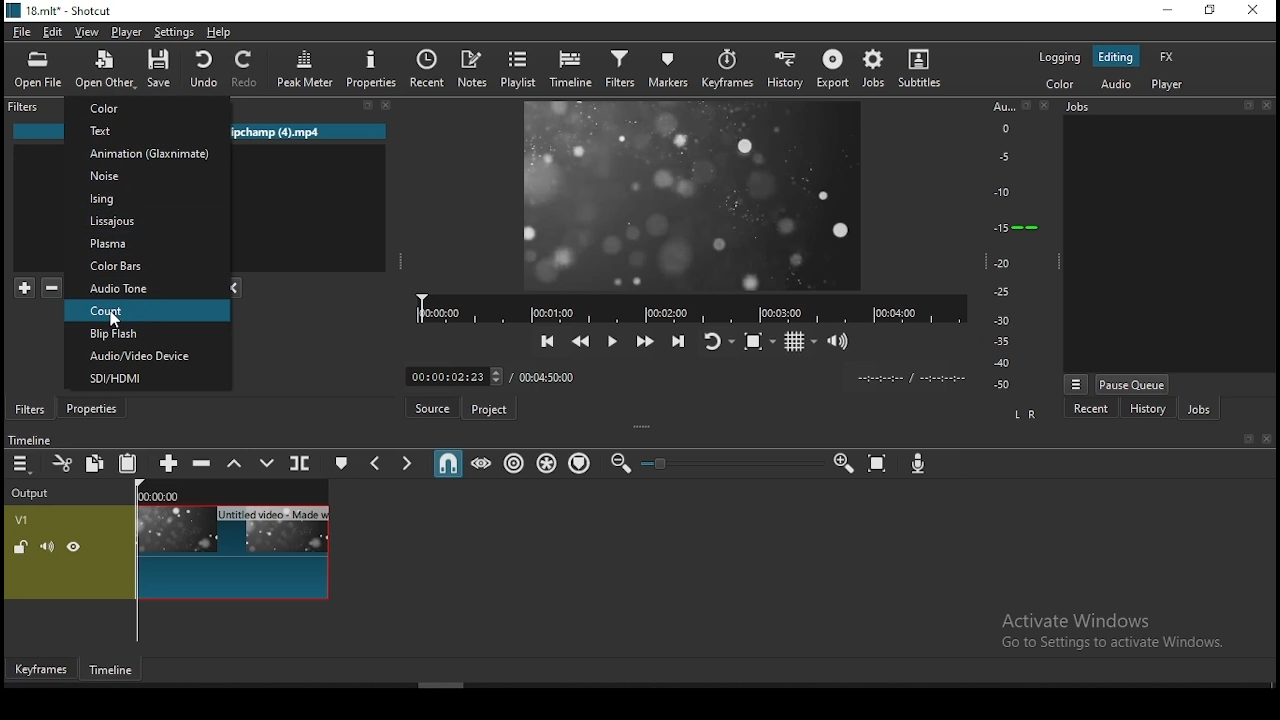 The width and height of the screenshot is (1280, 720). What do you see at coordinates (581, 341) in the screenshot?
I see `play quickly backward` at bounding box center [581, 341].